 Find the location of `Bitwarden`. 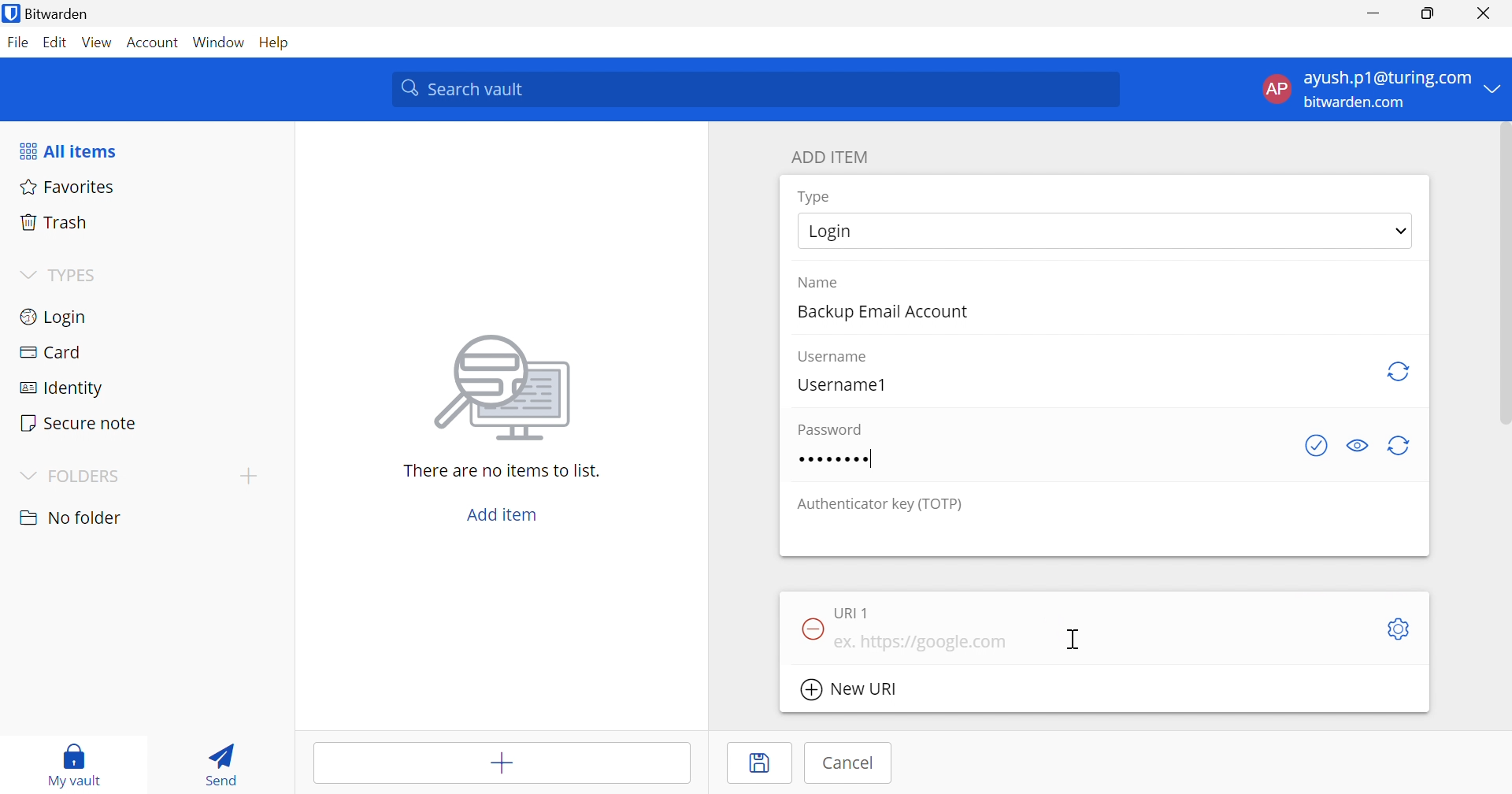

Bitwarden is located at coordinates (57, 13).